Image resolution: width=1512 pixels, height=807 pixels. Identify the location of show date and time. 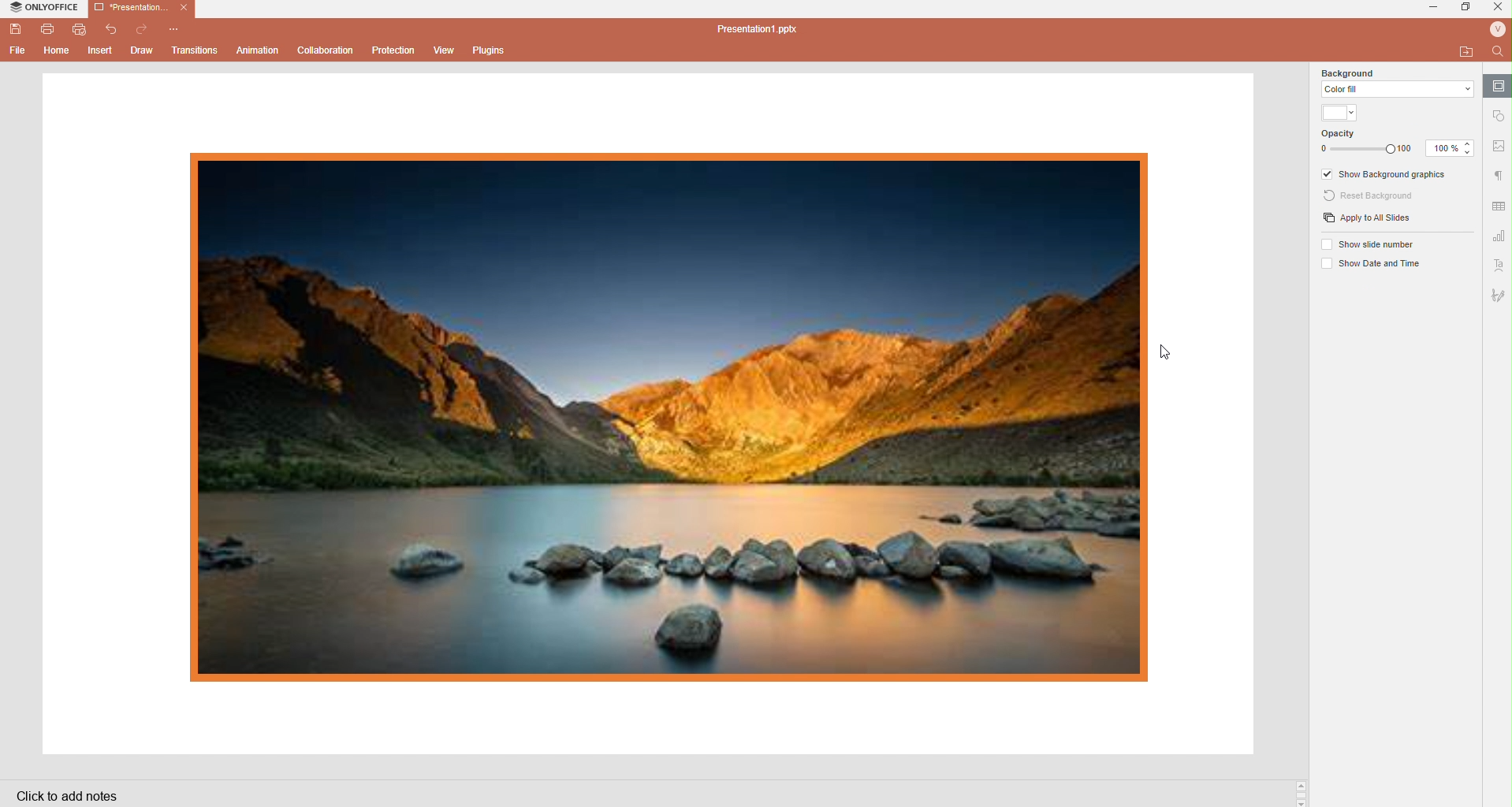
(1381, 264).